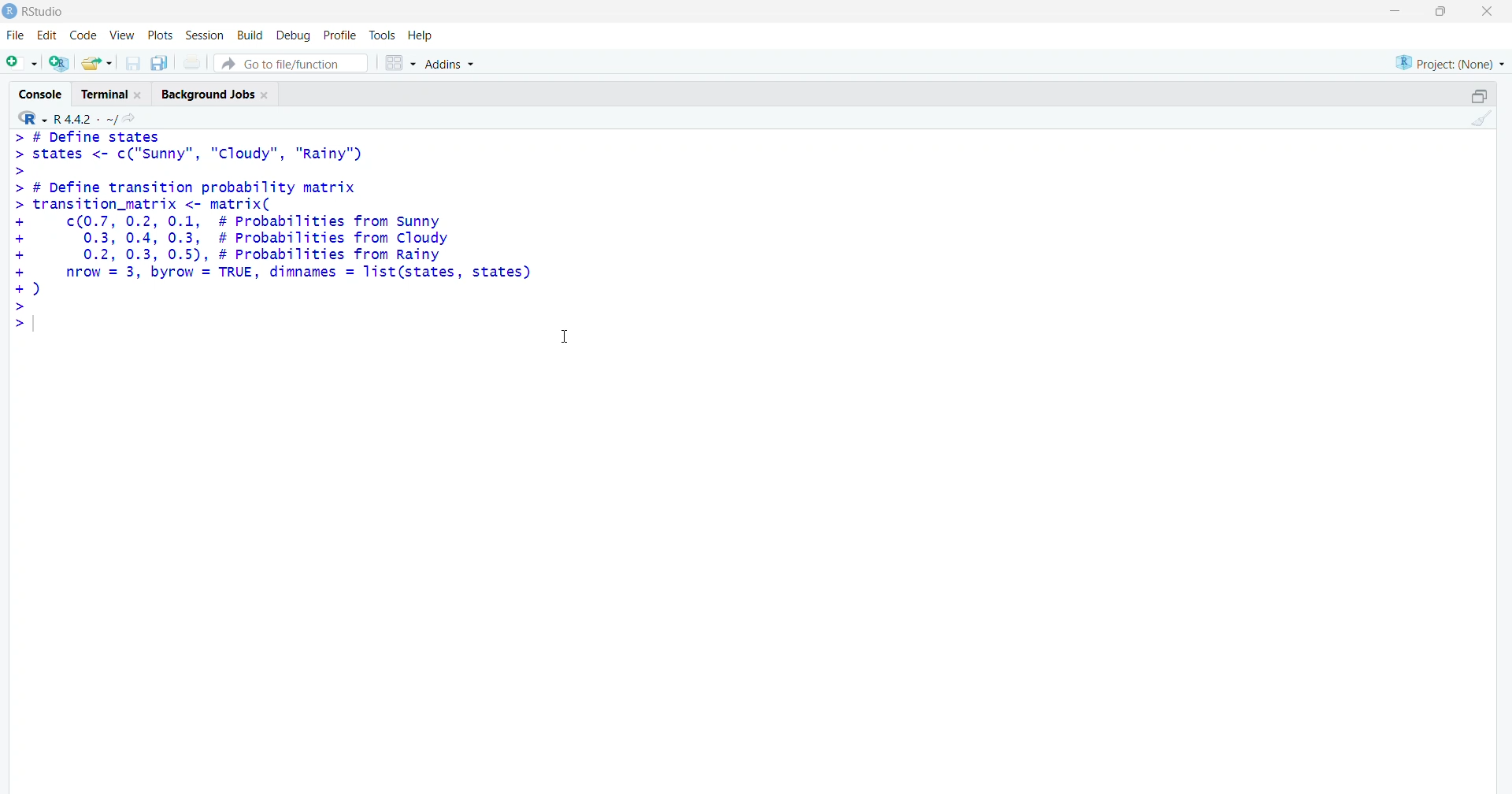 Image resolution: width=1512 pixels, height=794 pixels. I want to click on help, so click(422, 35).